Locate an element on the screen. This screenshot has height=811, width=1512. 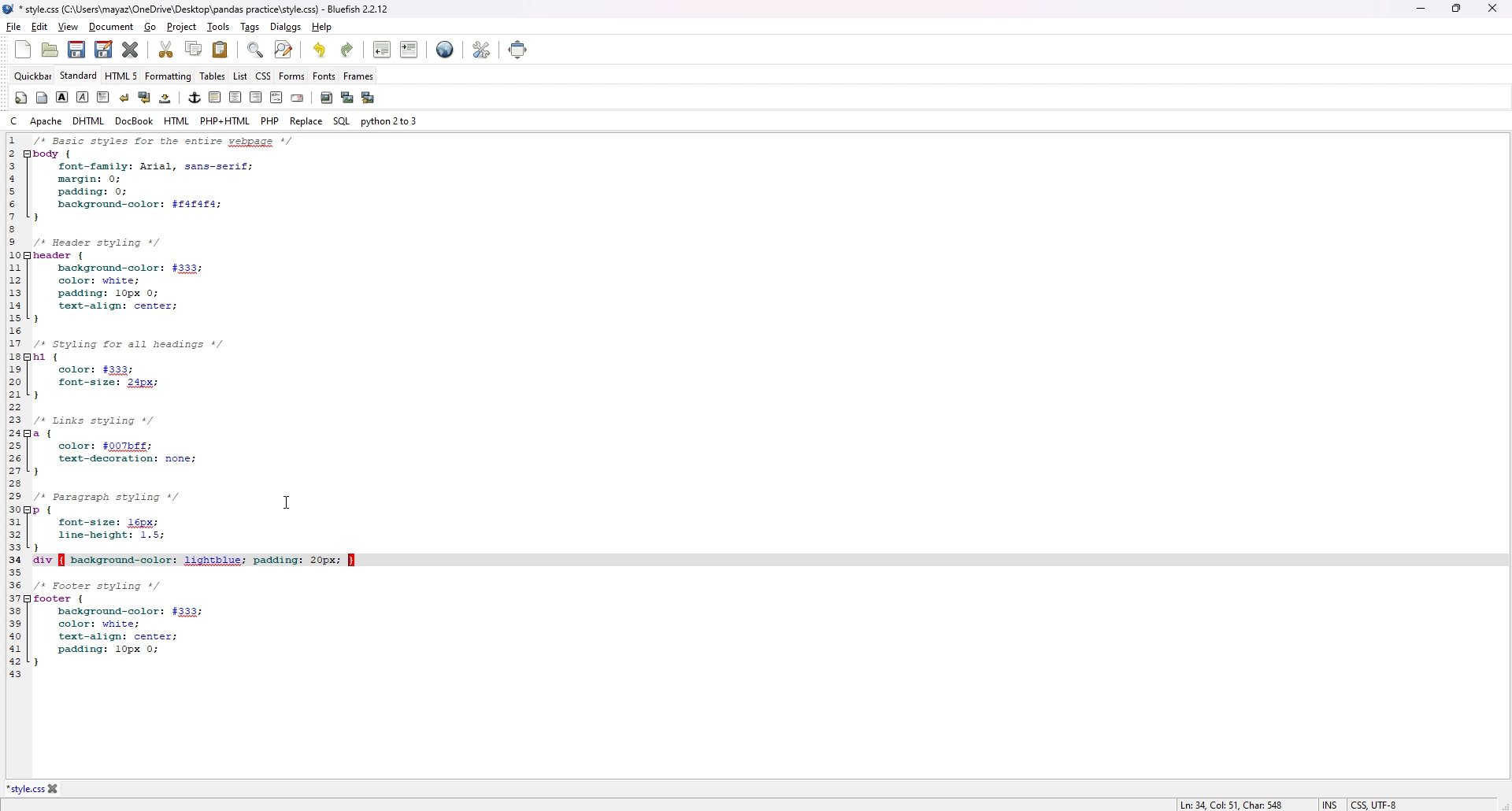
close current file is located at coordinates (132, 49).